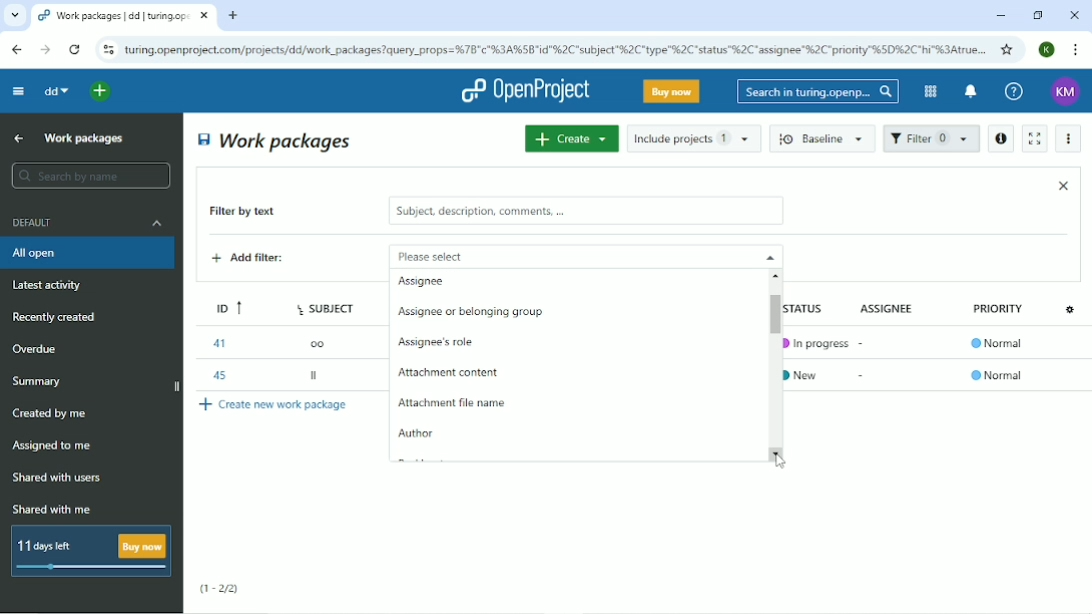 Image resolution: width=1092 pixels, height=614 pixels. I want to click on Shared with users, so click(58, 478).